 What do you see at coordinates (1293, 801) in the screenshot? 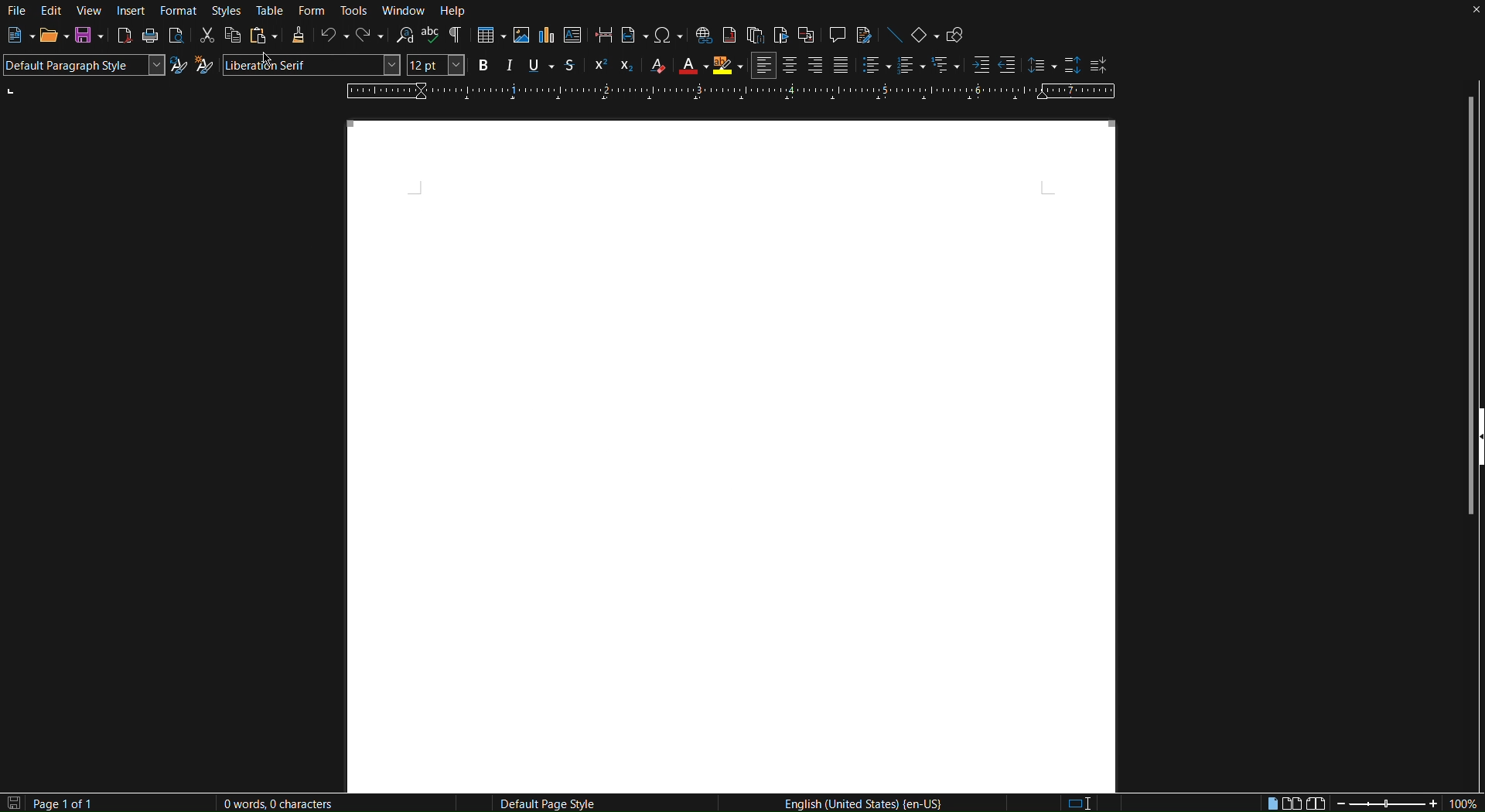
I see `Multiple page view` at bounding box center [1293, 801].